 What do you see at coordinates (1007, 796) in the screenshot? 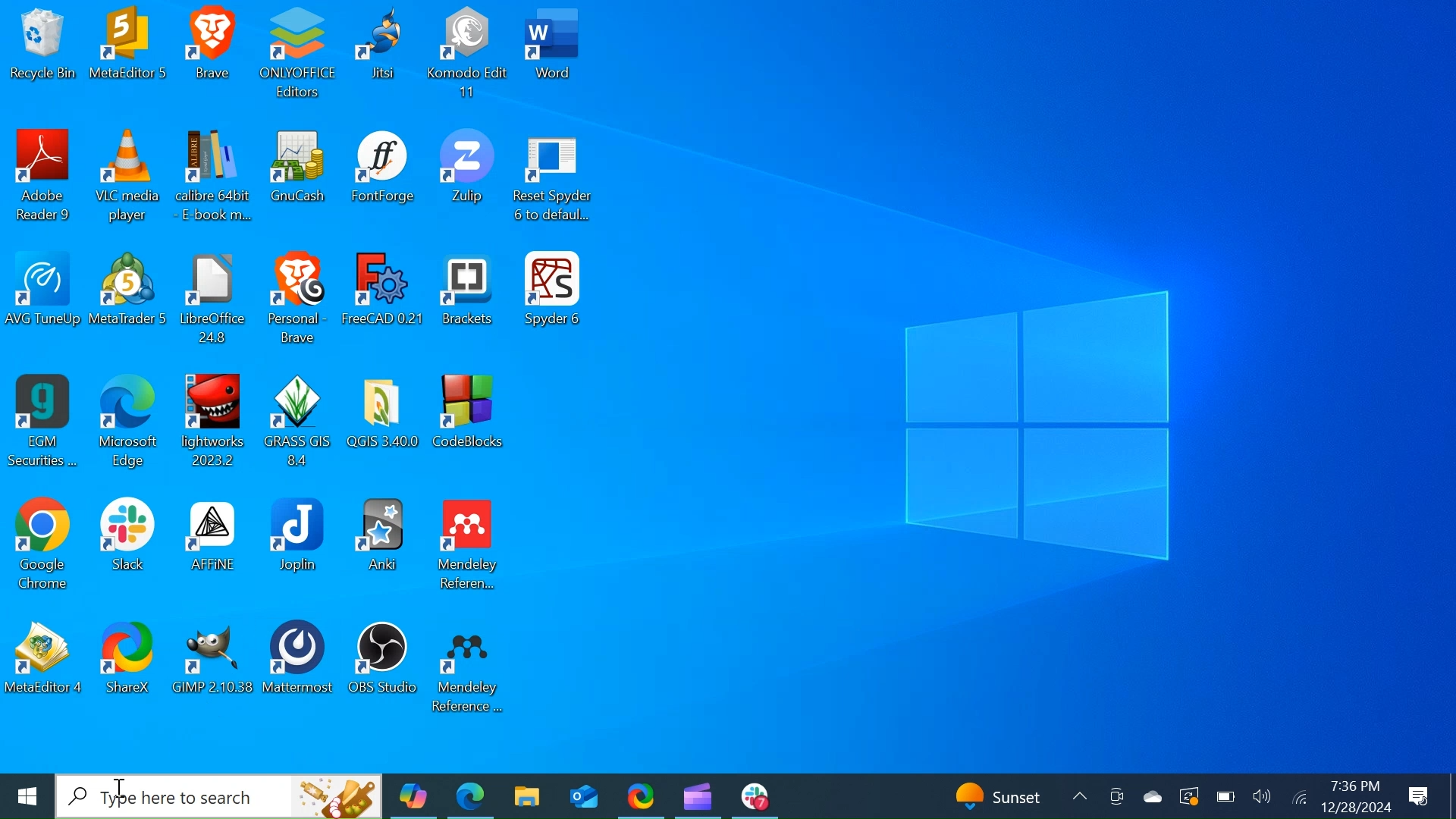
I see `Updates` at bounding box center [1007, 796].